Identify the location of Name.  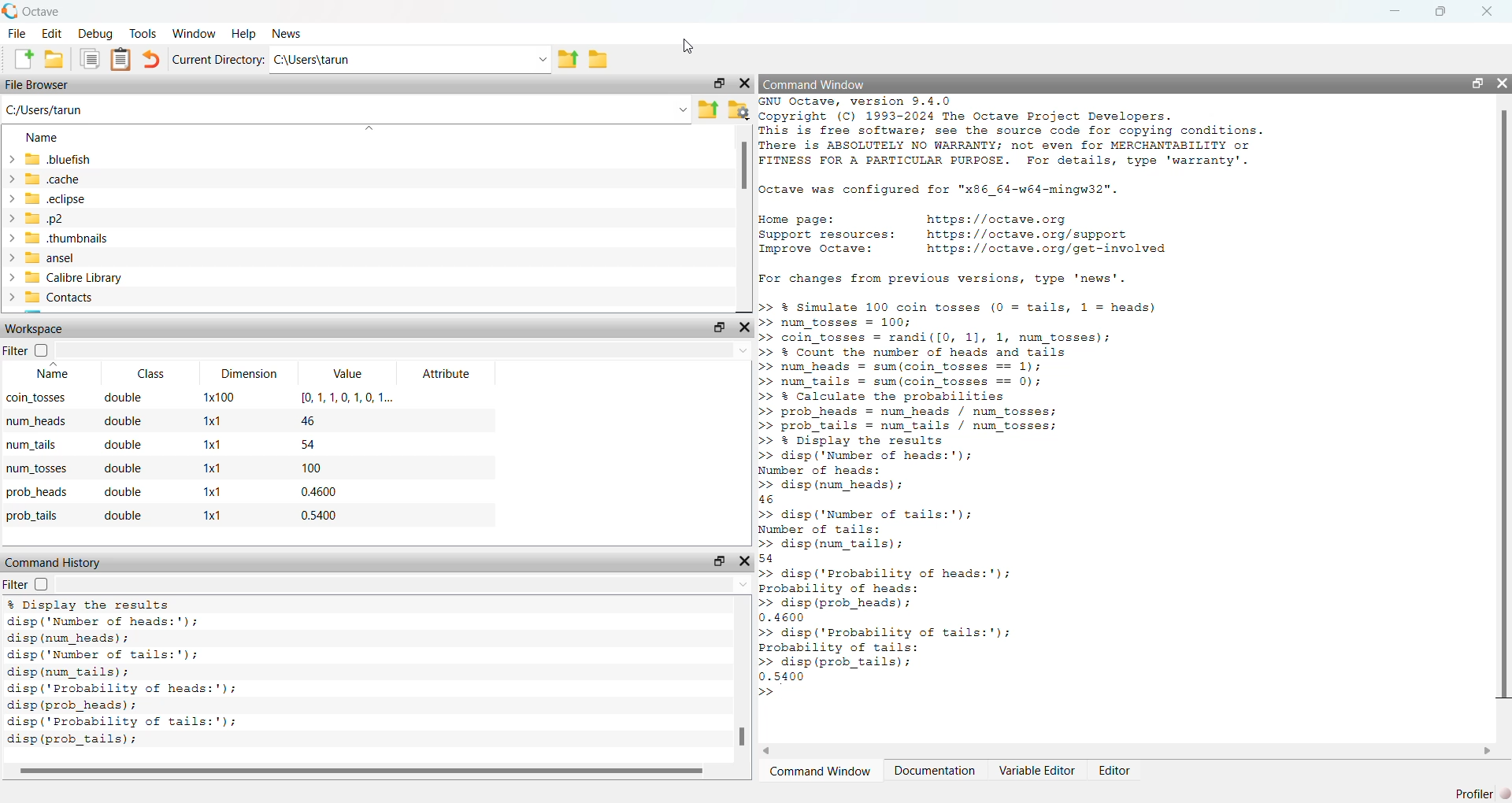
(52, 372).